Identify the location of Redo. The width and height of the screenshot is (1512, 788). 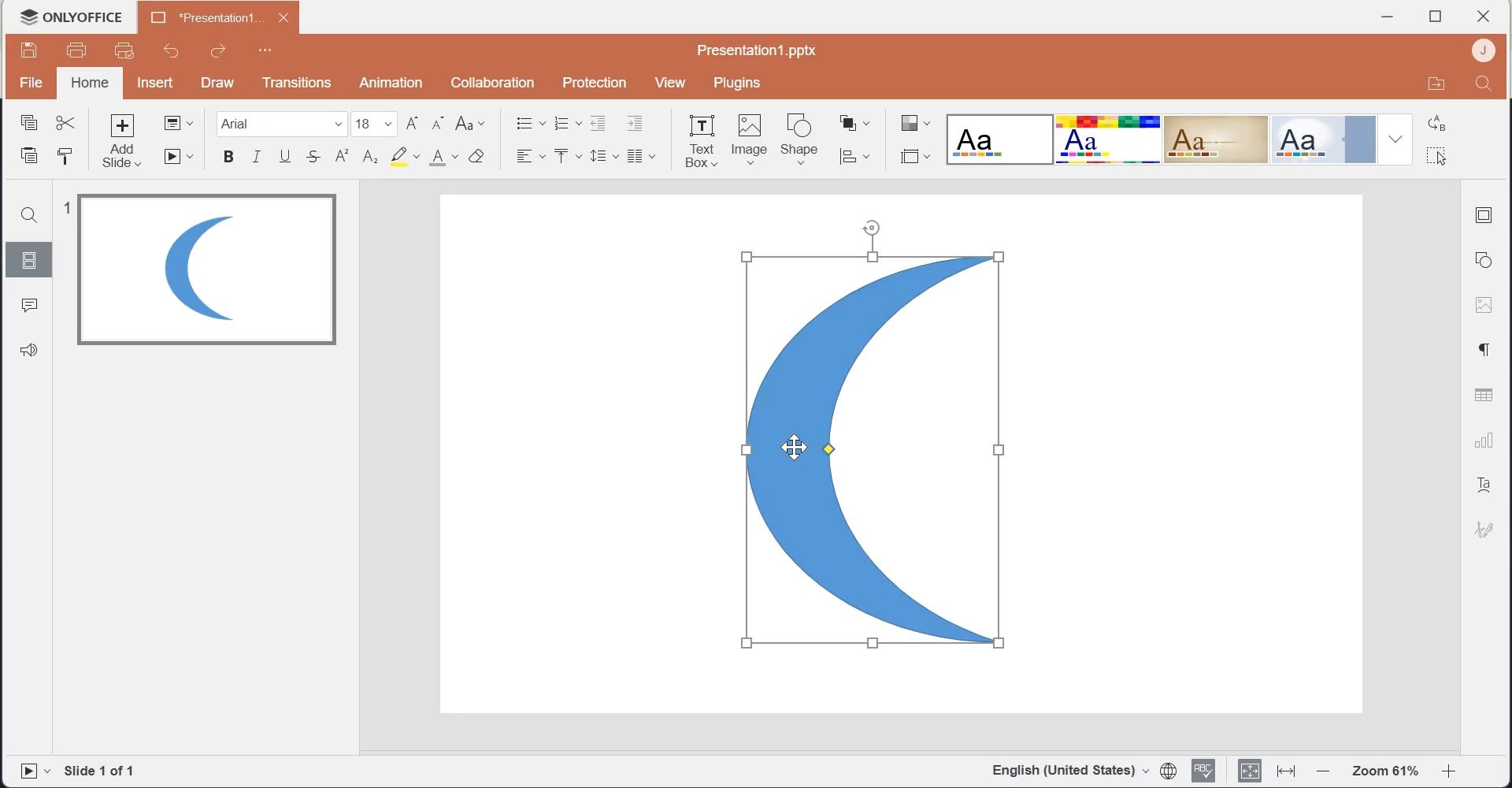
(216, 50).